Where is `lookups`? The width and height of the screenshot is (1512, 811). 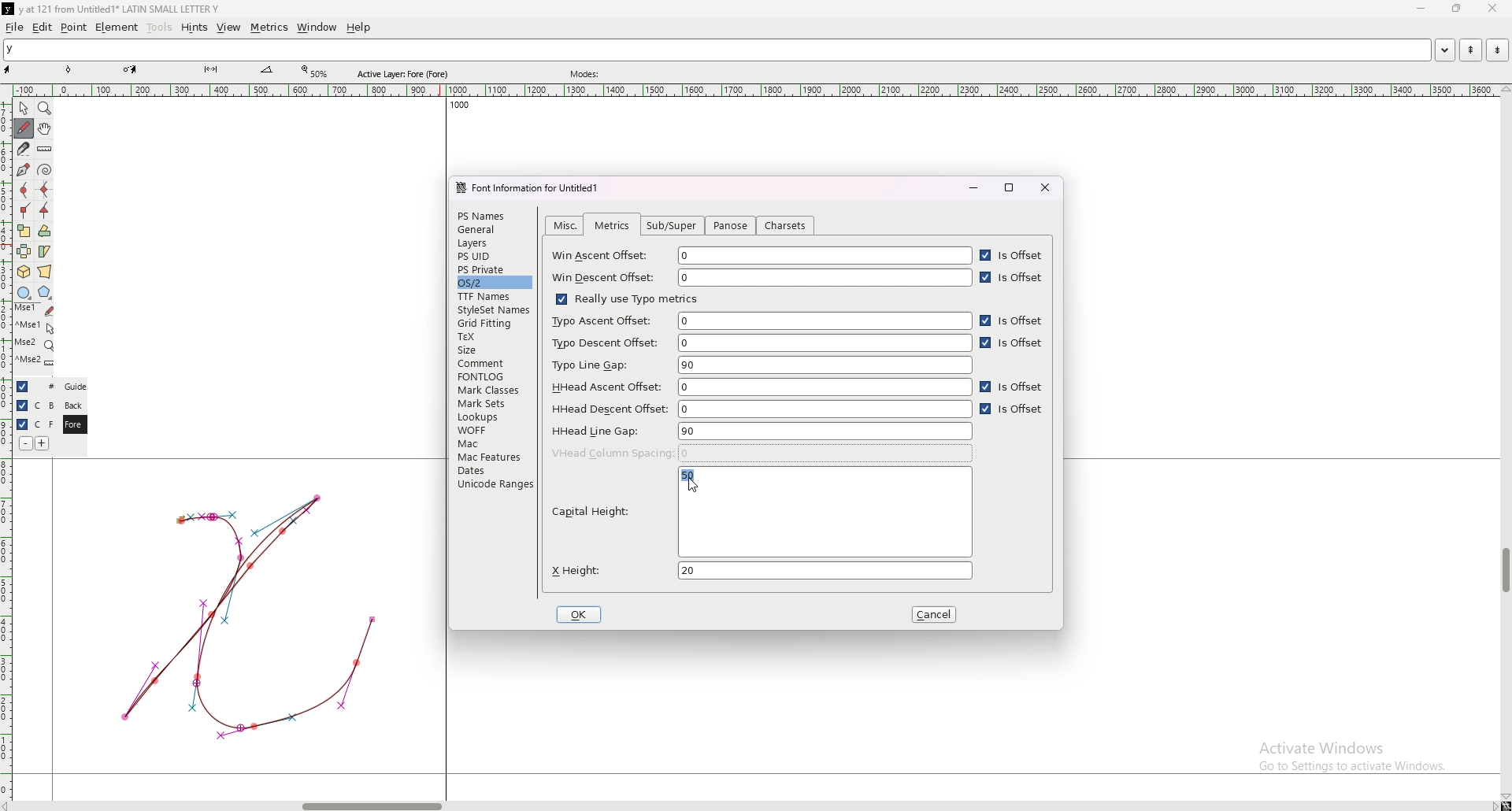
lookups is located at coordinates (491, 417).